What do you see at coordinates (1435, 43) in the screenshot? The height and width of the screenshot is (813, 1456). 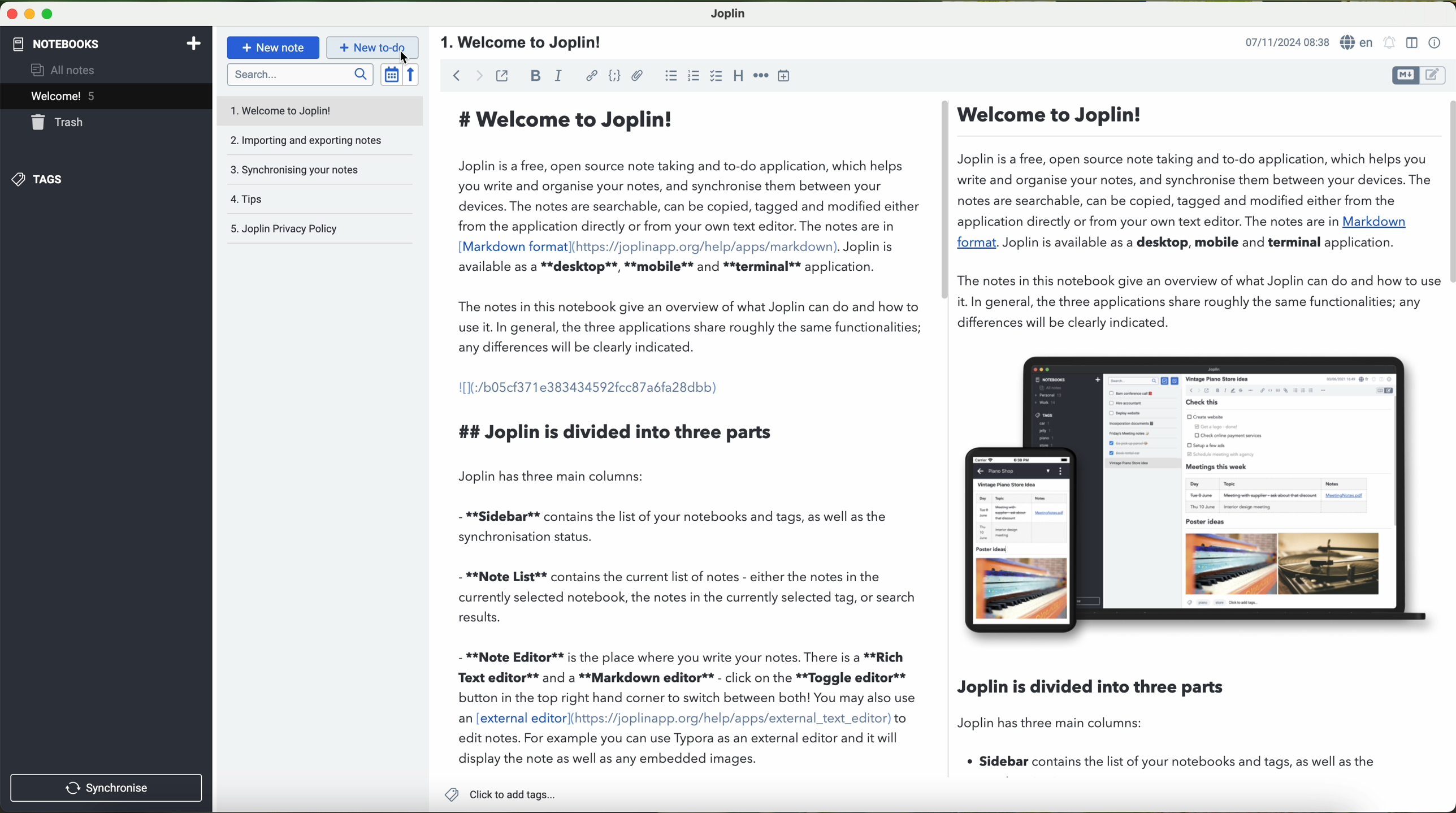 I see `note properties` at bounding box center [1435, 43].